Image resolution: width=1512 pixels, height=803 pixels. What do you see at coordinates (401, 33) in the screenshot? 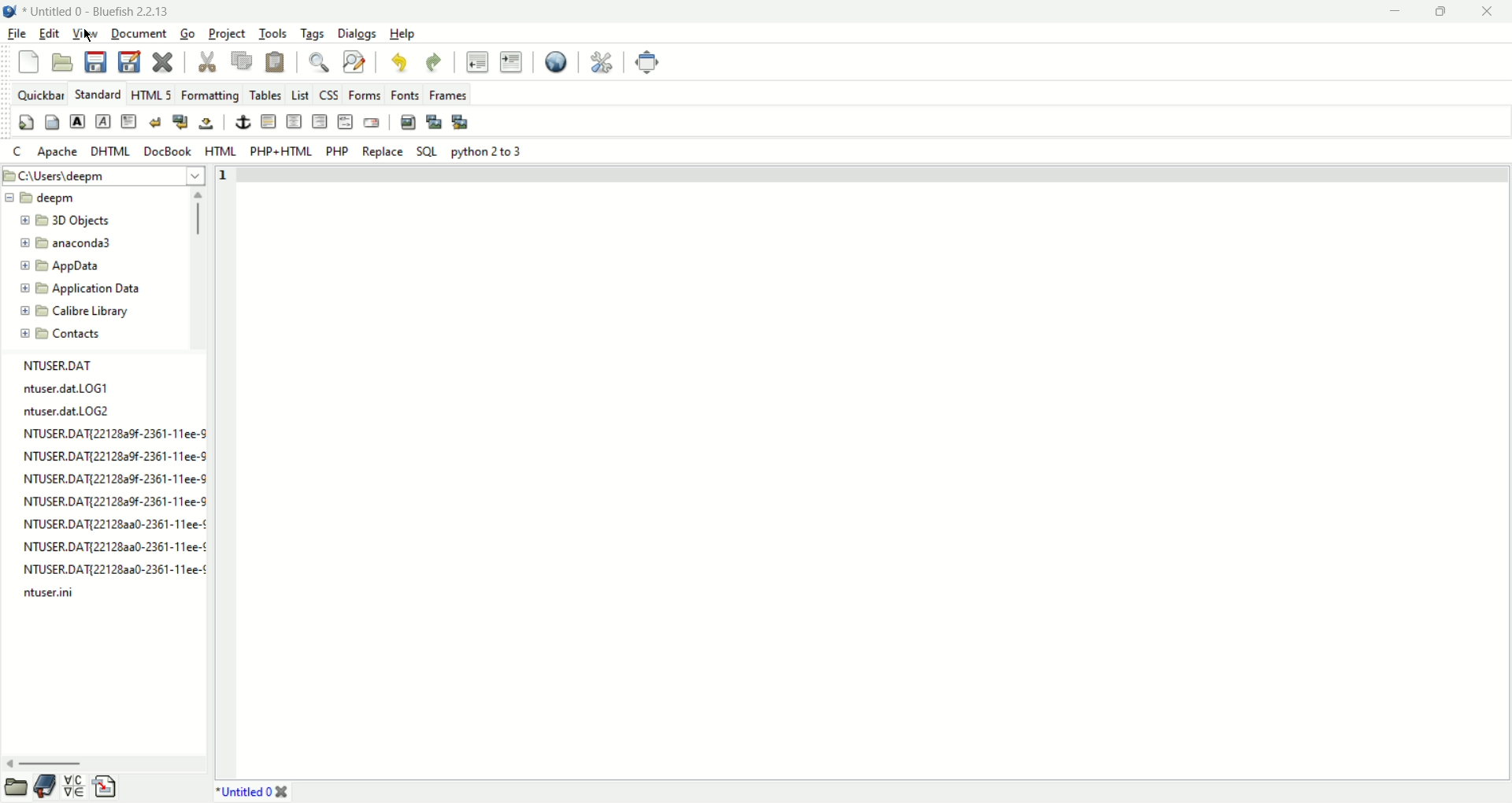
I see `help` at bounding box center [401, 33].